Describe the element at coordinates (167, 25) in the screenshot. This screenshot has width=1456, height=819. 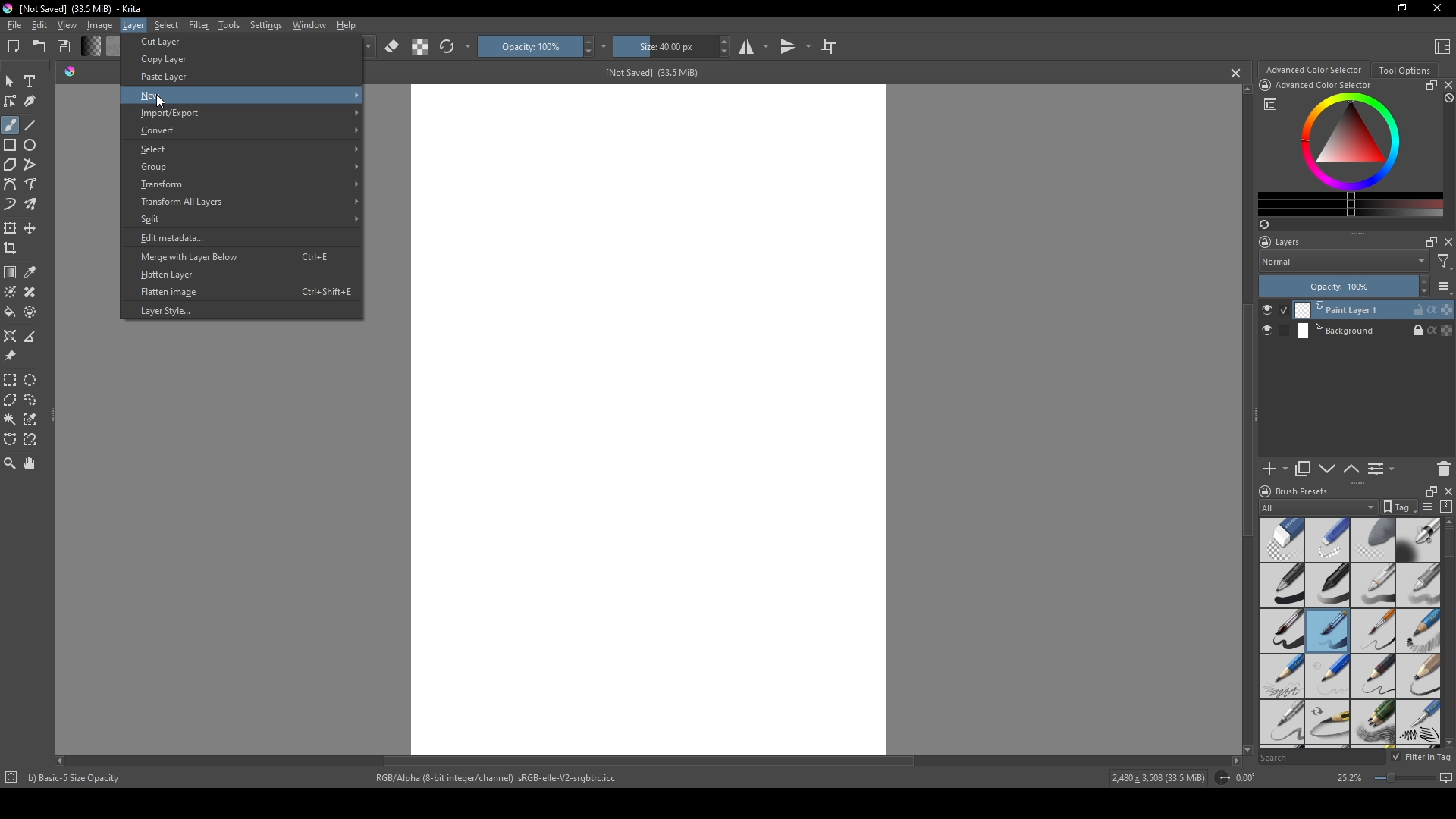
I see `Select` at that location.